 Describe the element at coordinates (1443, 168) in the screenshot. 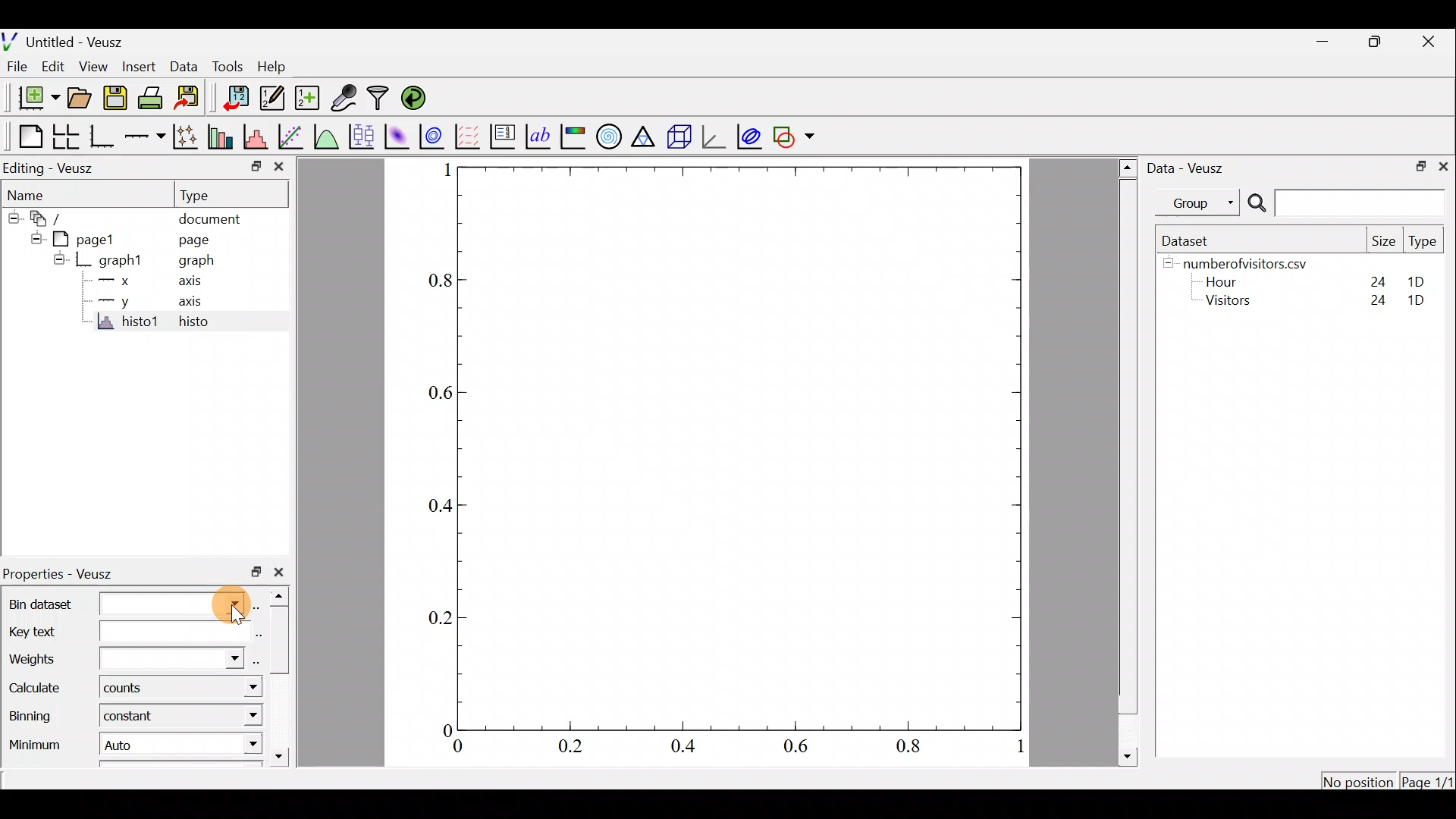

I see `close` at that location.